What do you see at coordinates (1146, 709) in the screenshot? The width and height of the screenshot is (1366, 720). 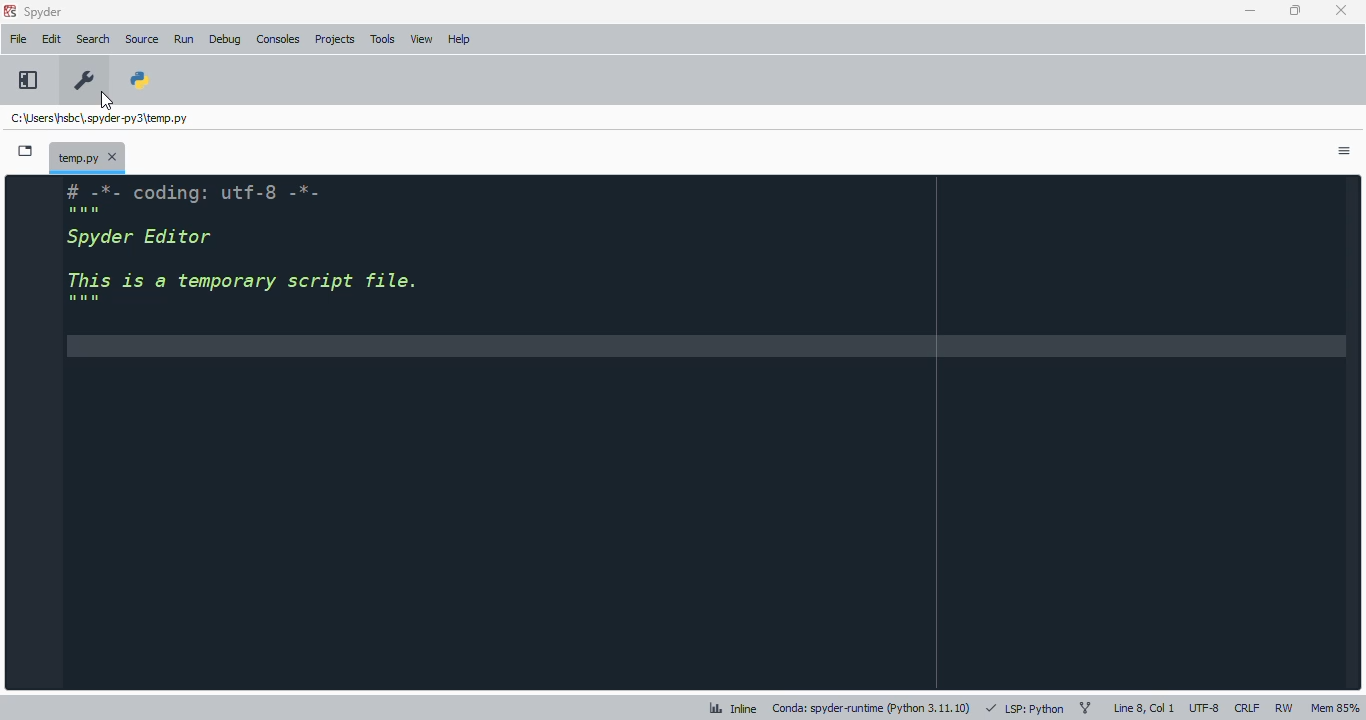 I see `line 8, col 1` at bounding box center [1146, 709].